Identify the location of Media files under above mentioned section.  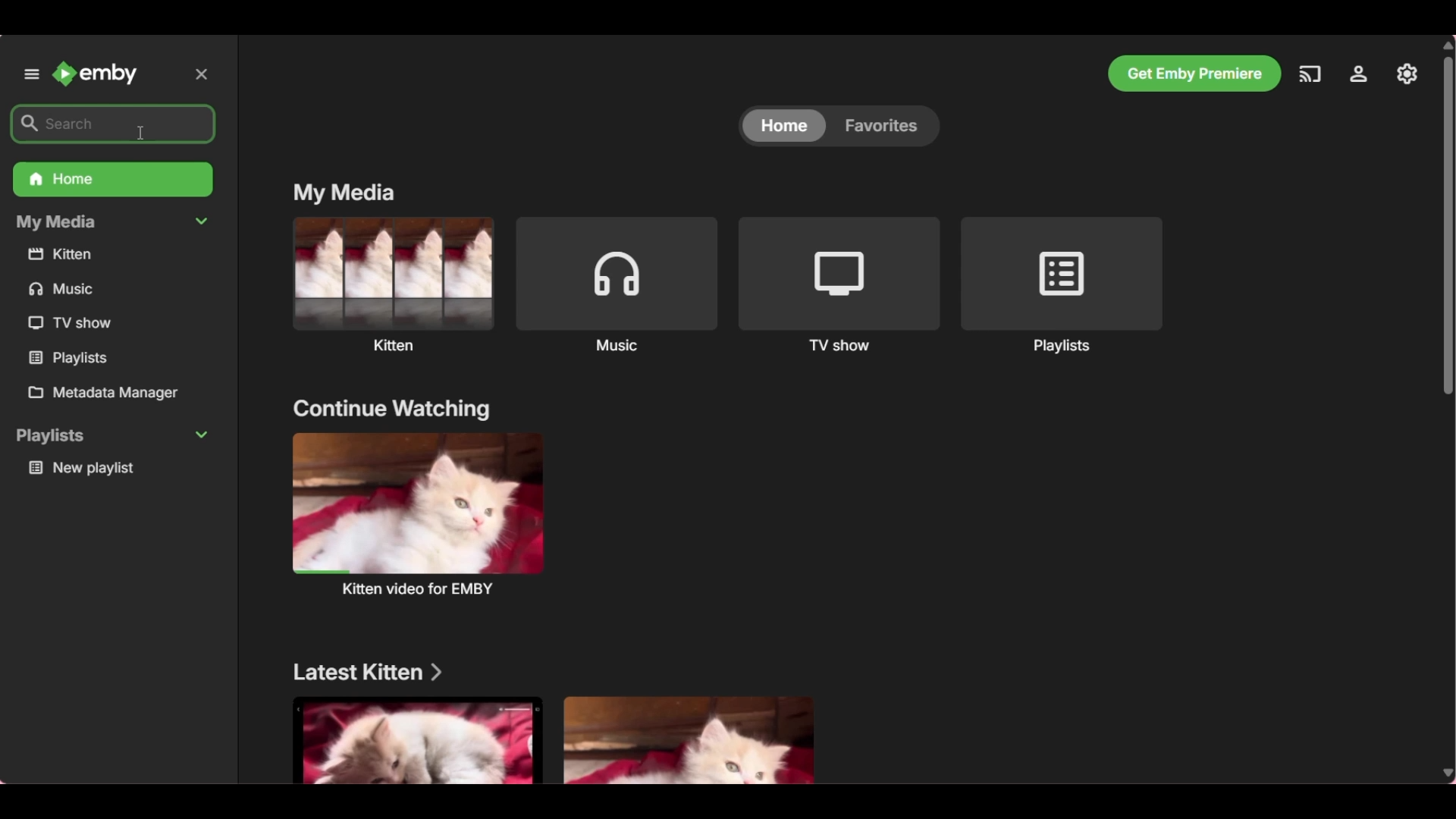
(686, 739).